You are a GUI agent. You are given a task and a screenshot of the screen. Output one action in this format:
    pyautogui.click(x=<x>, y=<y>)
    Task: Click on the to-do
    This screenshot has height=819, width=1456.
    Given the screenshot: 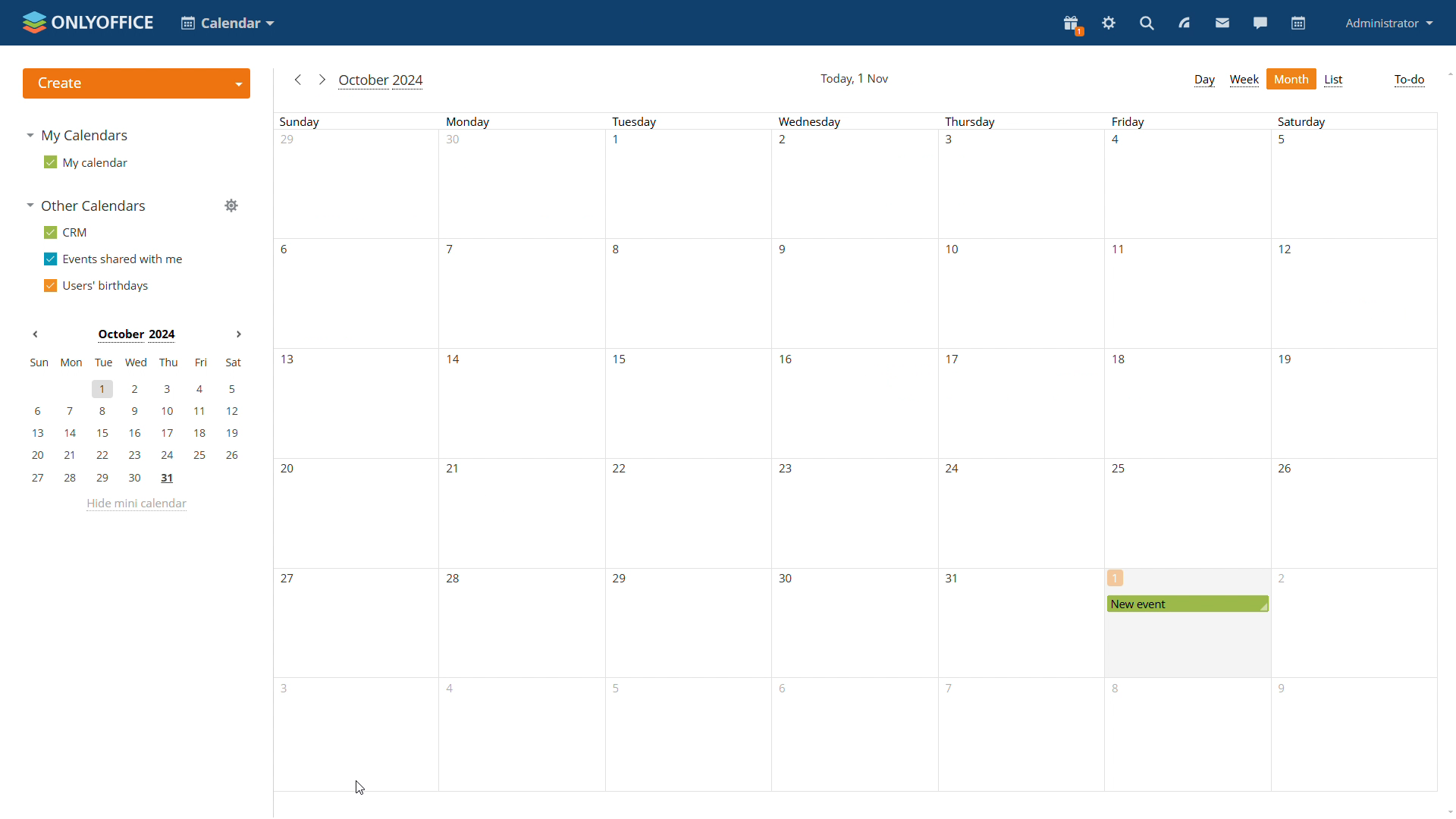 What is the action you would take?
    pyautogui.click(x=1408, y=81)
    